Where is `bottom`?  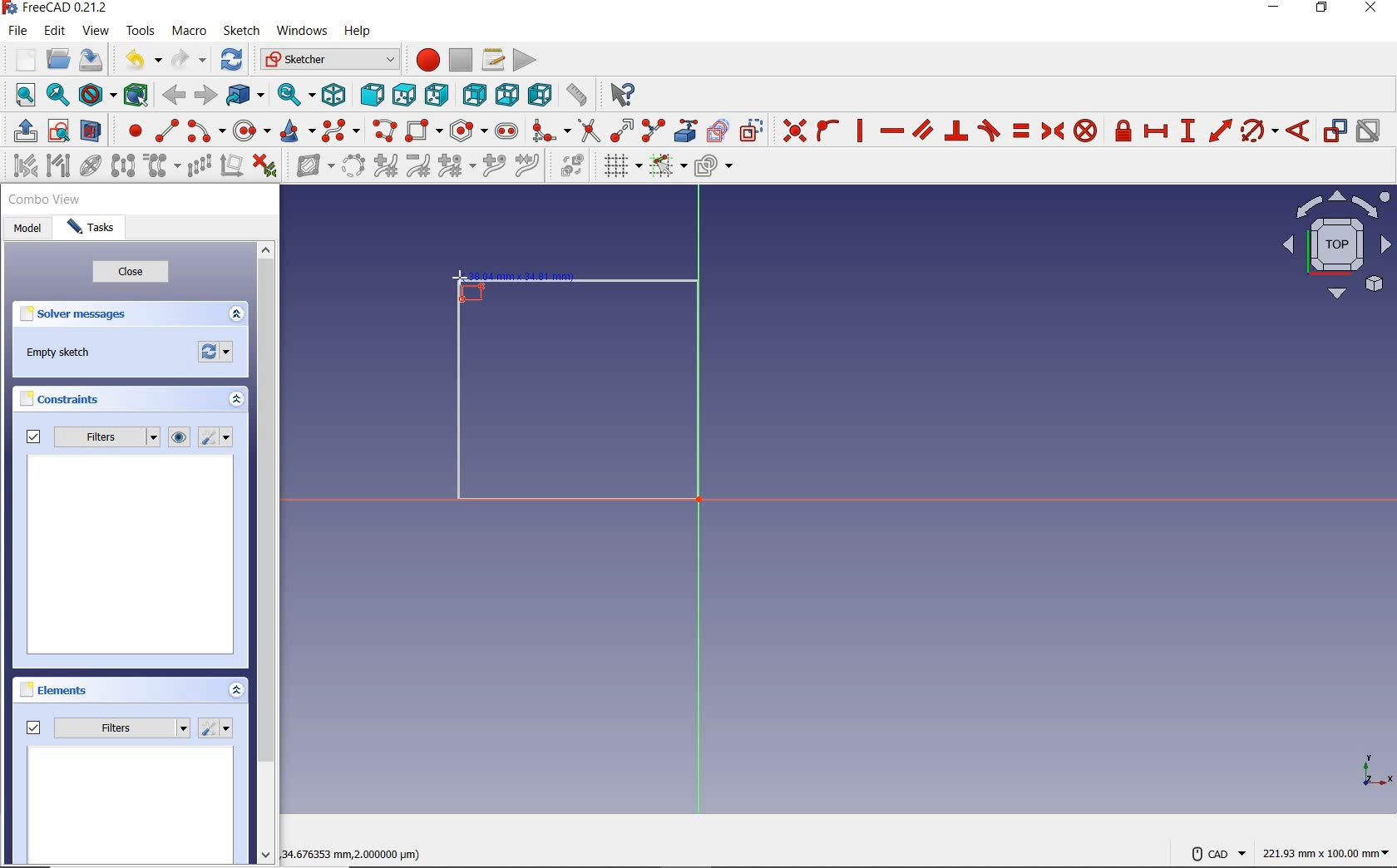 bottom is located at coordinates (506, 94).